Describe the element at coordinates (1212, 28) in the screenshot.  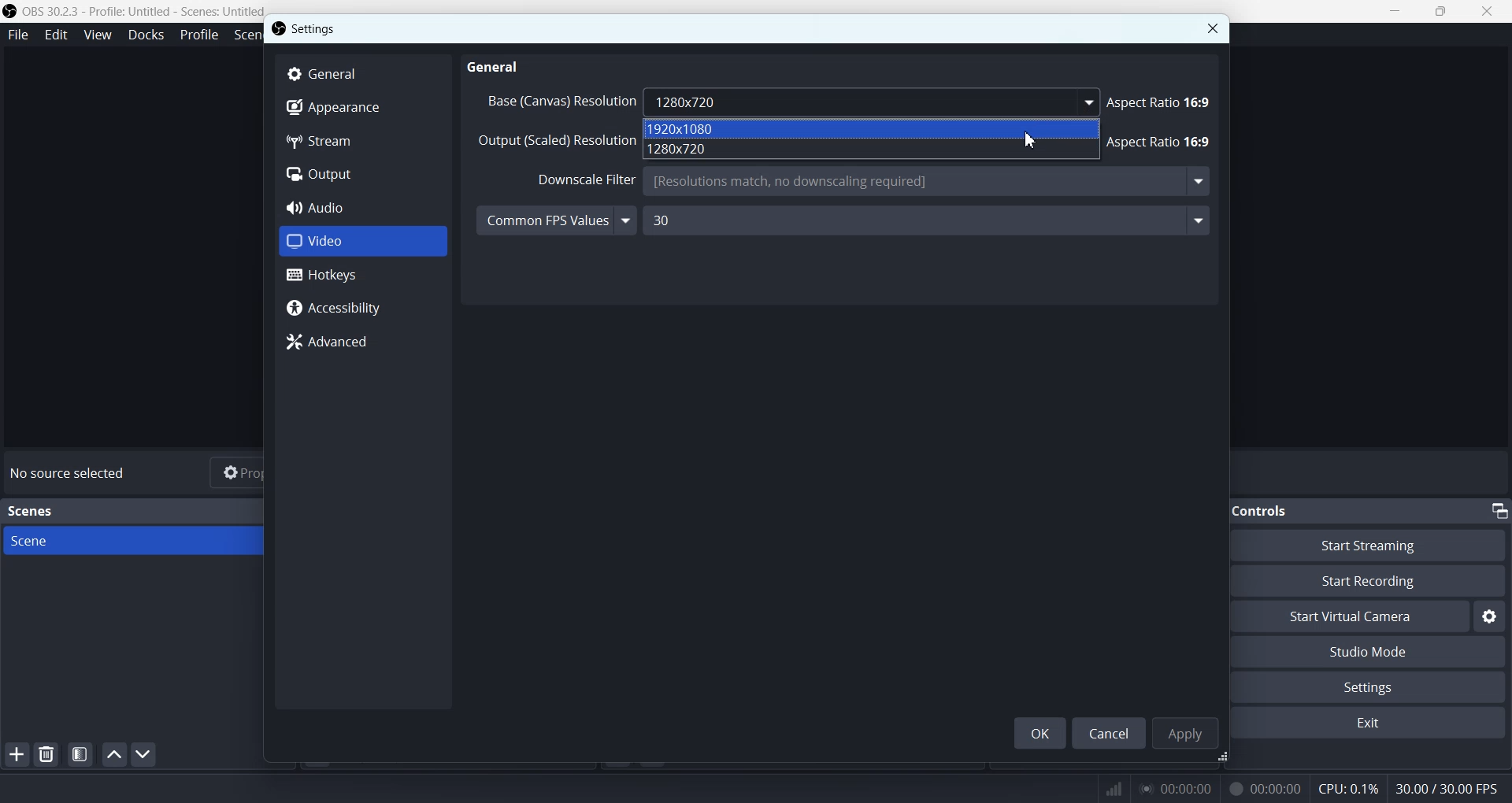
I see `Close` at that location.